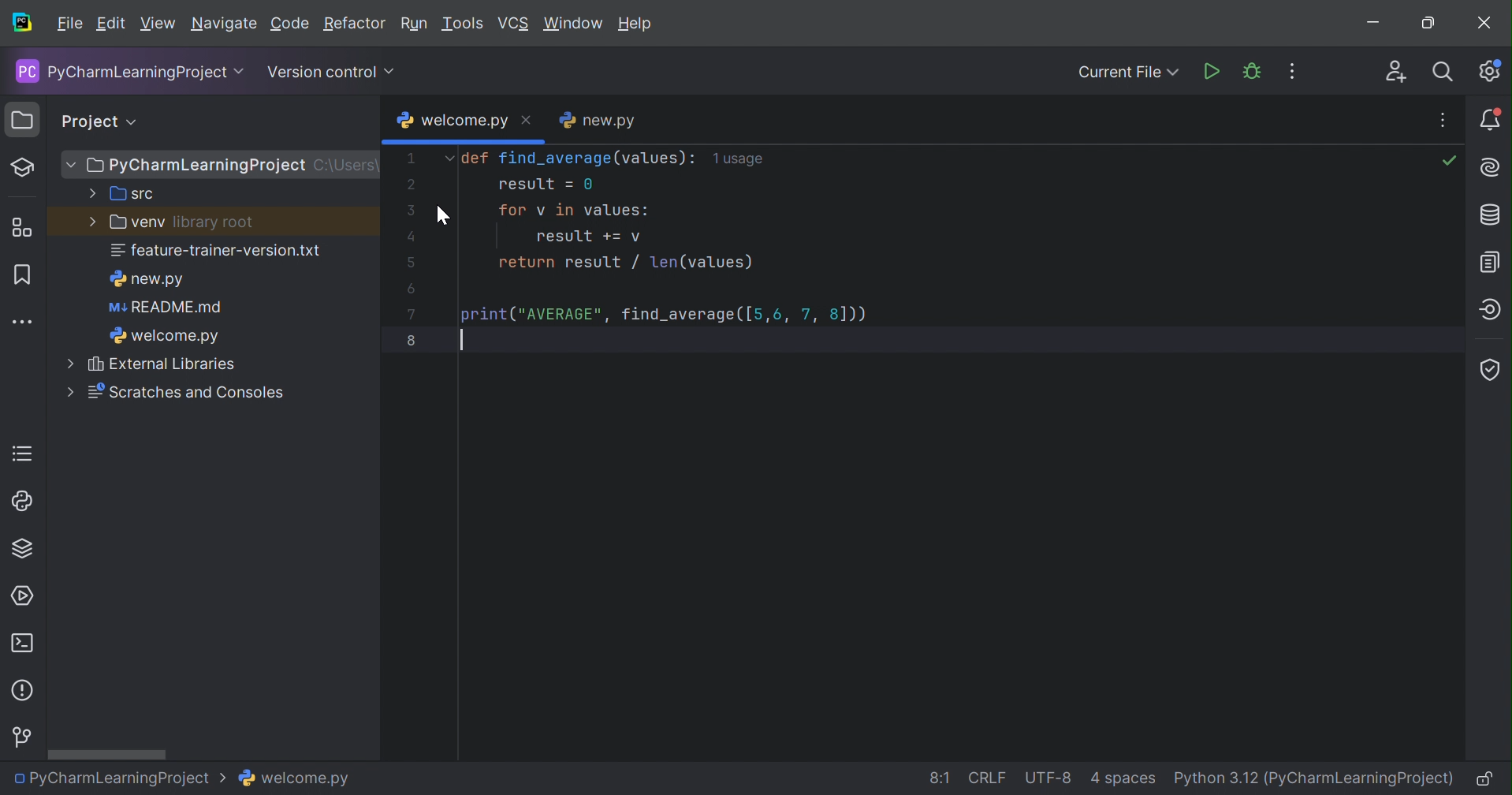  What do you see at coordinates (21, 737) in the screenshot?
I see `Version Control` at bounding box center [21, 737].